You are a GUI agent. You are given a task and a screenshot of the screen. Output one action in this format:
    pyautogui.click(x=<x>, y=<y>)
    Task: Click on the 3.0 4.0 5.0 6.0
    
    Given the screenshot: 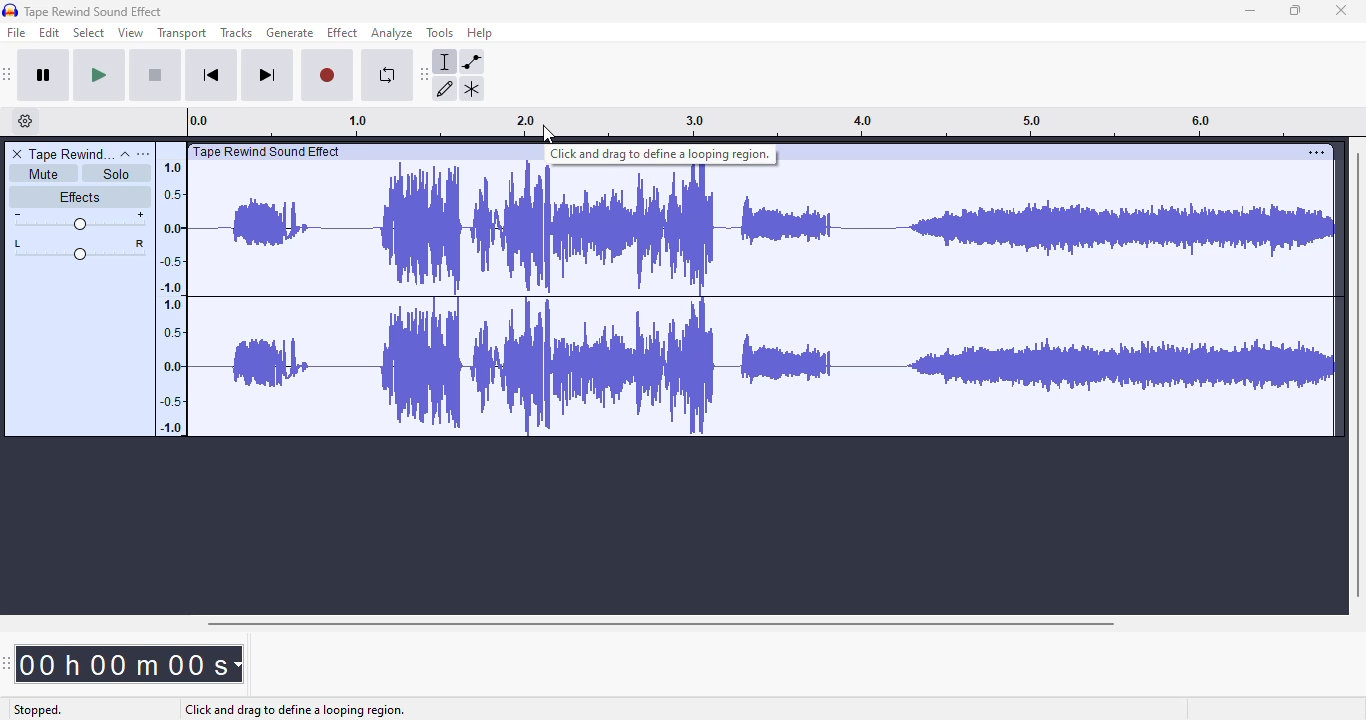 What is the action you would take?
    pyautogui.click(x=1025, y=121)
    